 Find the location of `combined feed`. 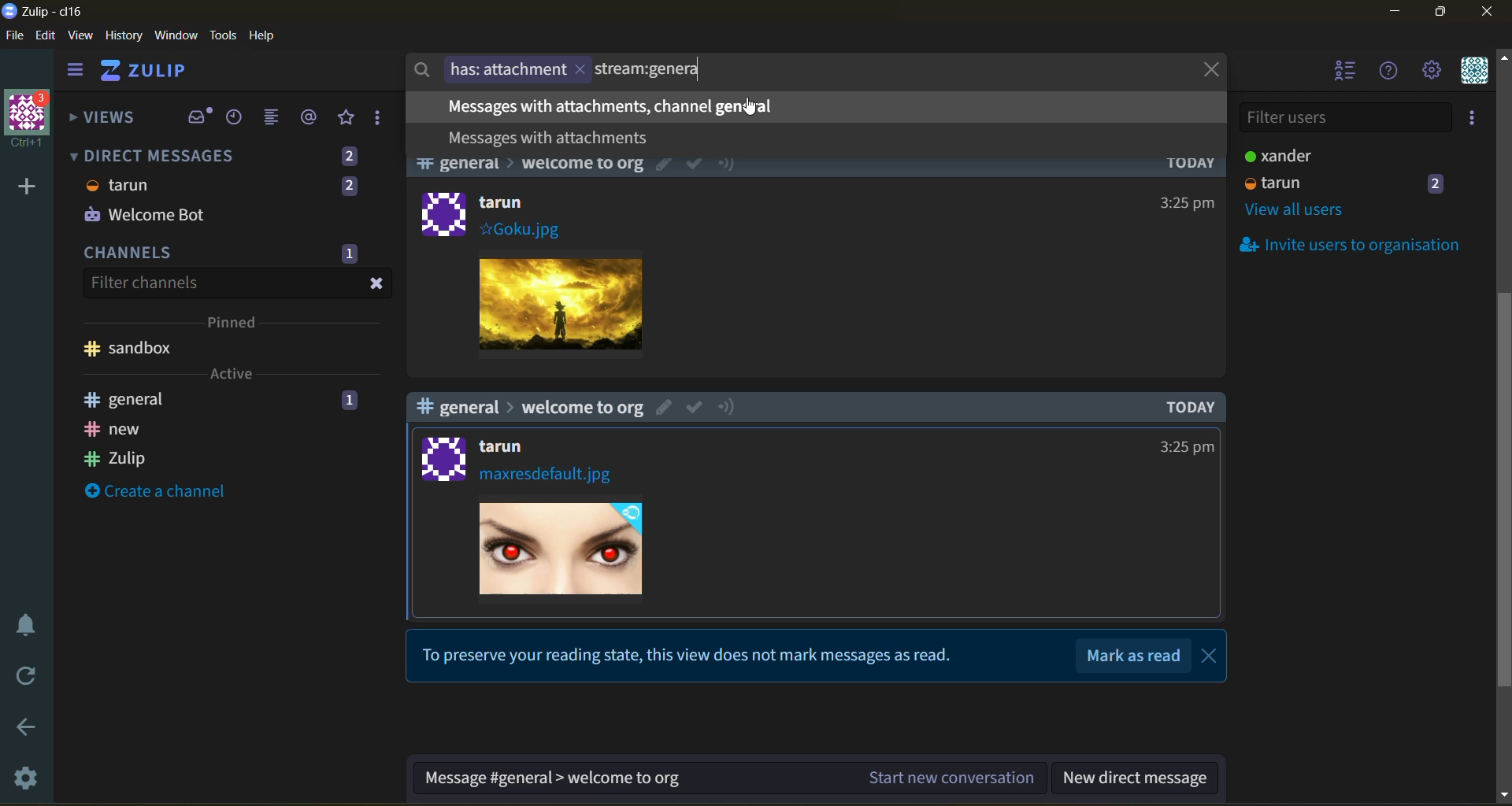

combined feed is located at coordinates (274, 118).